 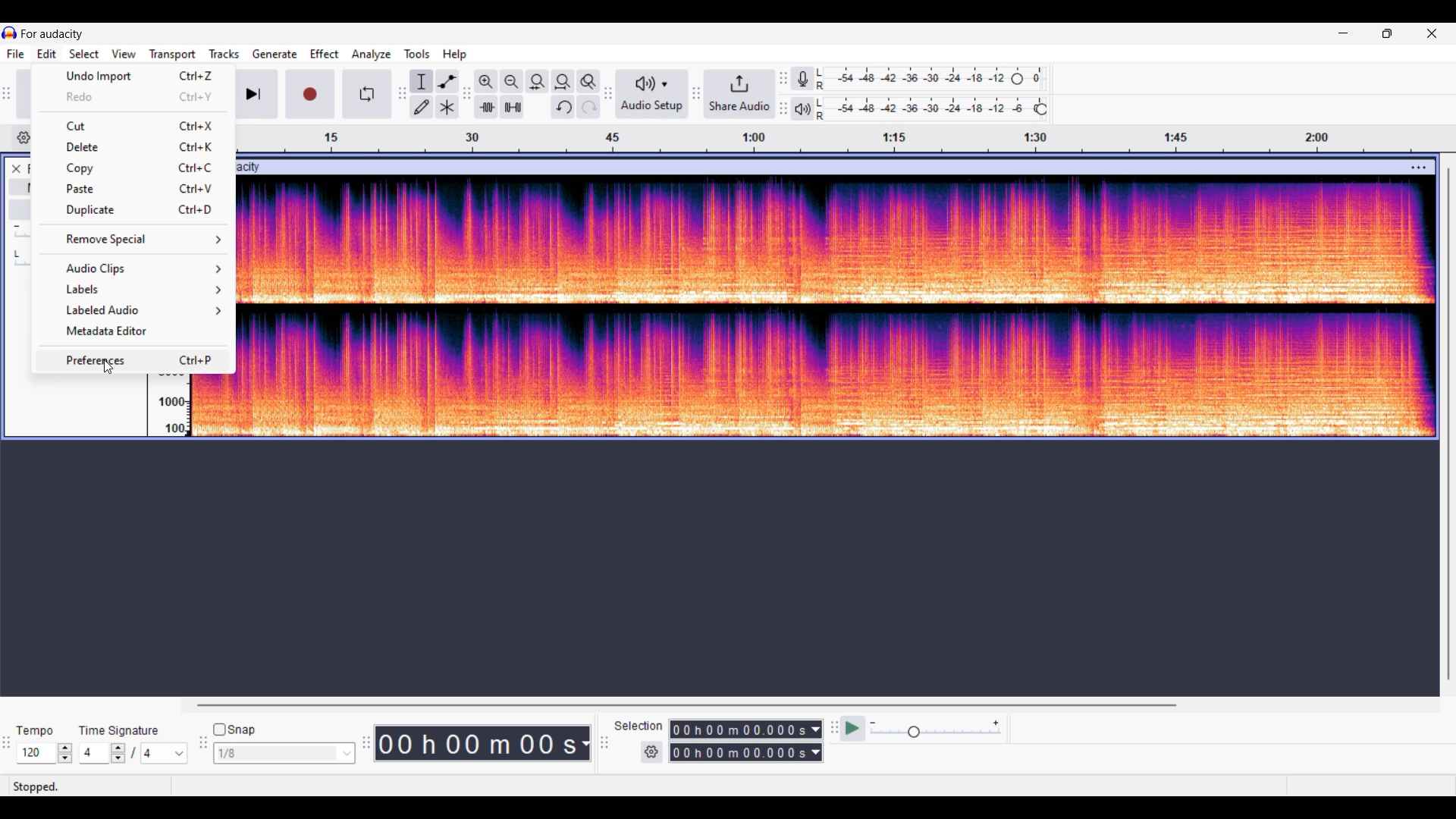 I want to click on Enable looping, so click(x=367, y=94).